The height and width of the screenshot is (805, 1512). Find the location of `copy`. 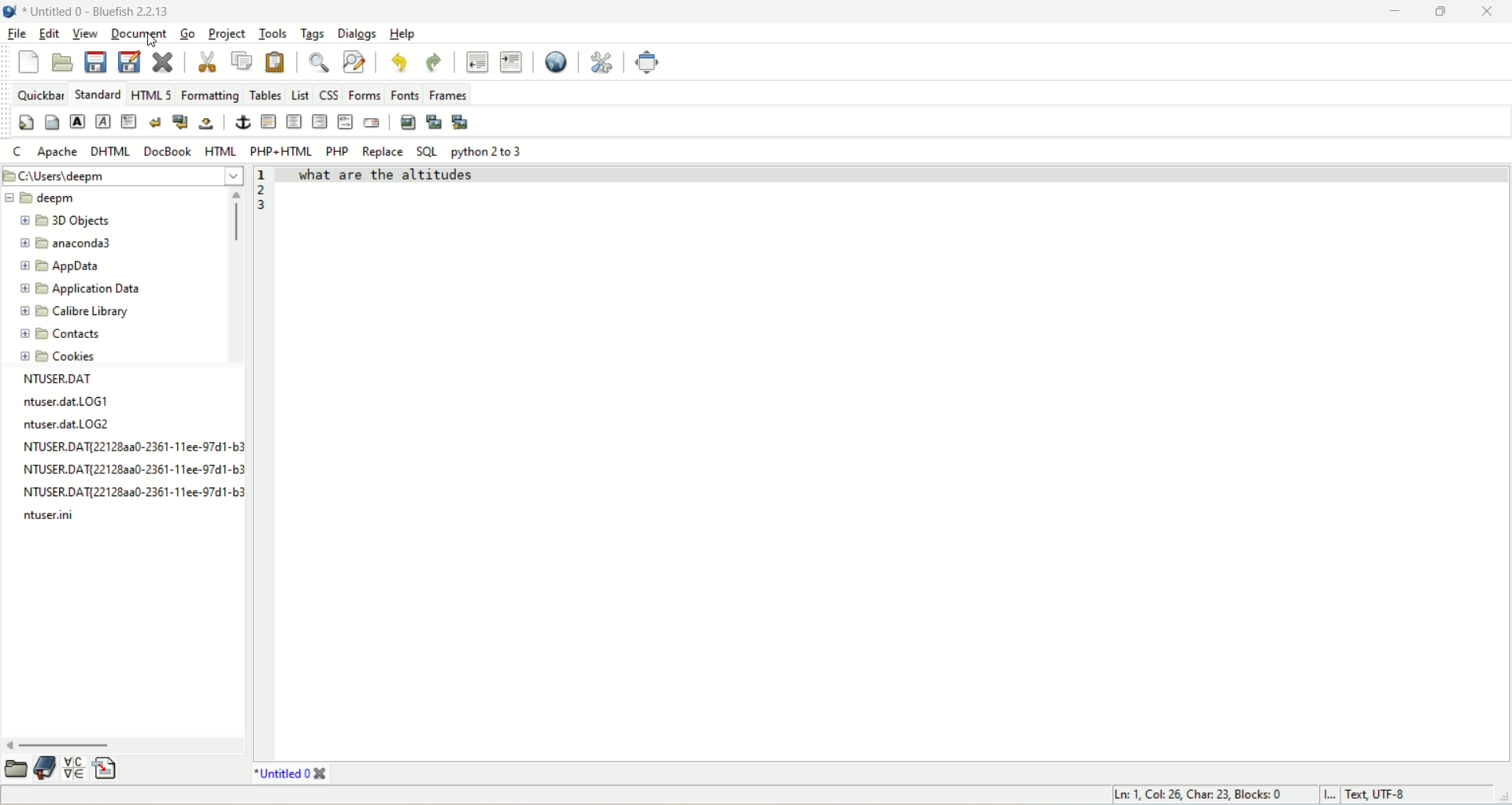

copy is located at coordinates (243, 60).